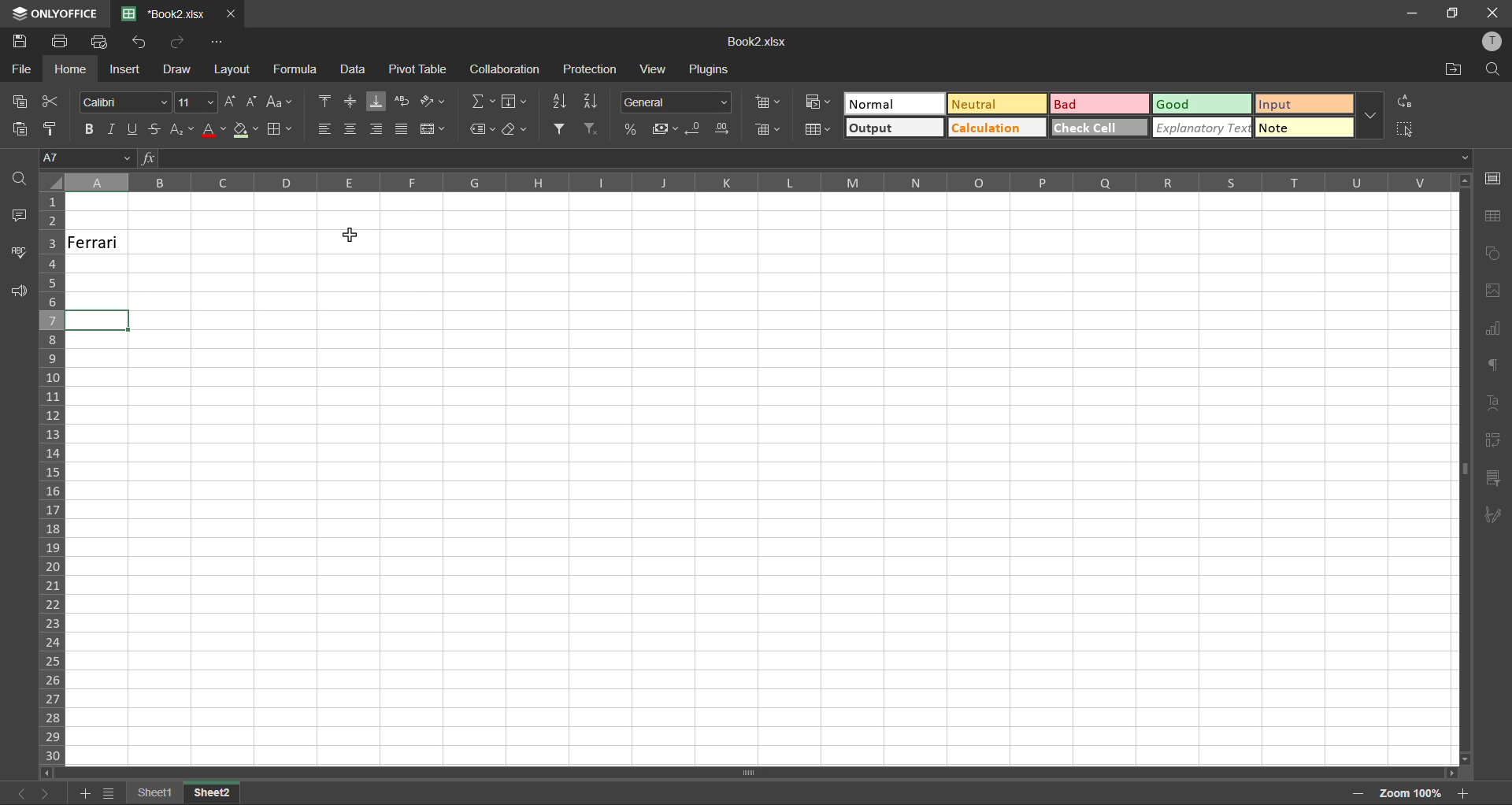  What do you see at coordinates (438, 131) in the screenshot?
I see `merge and center` at bounding box center [438, 131].